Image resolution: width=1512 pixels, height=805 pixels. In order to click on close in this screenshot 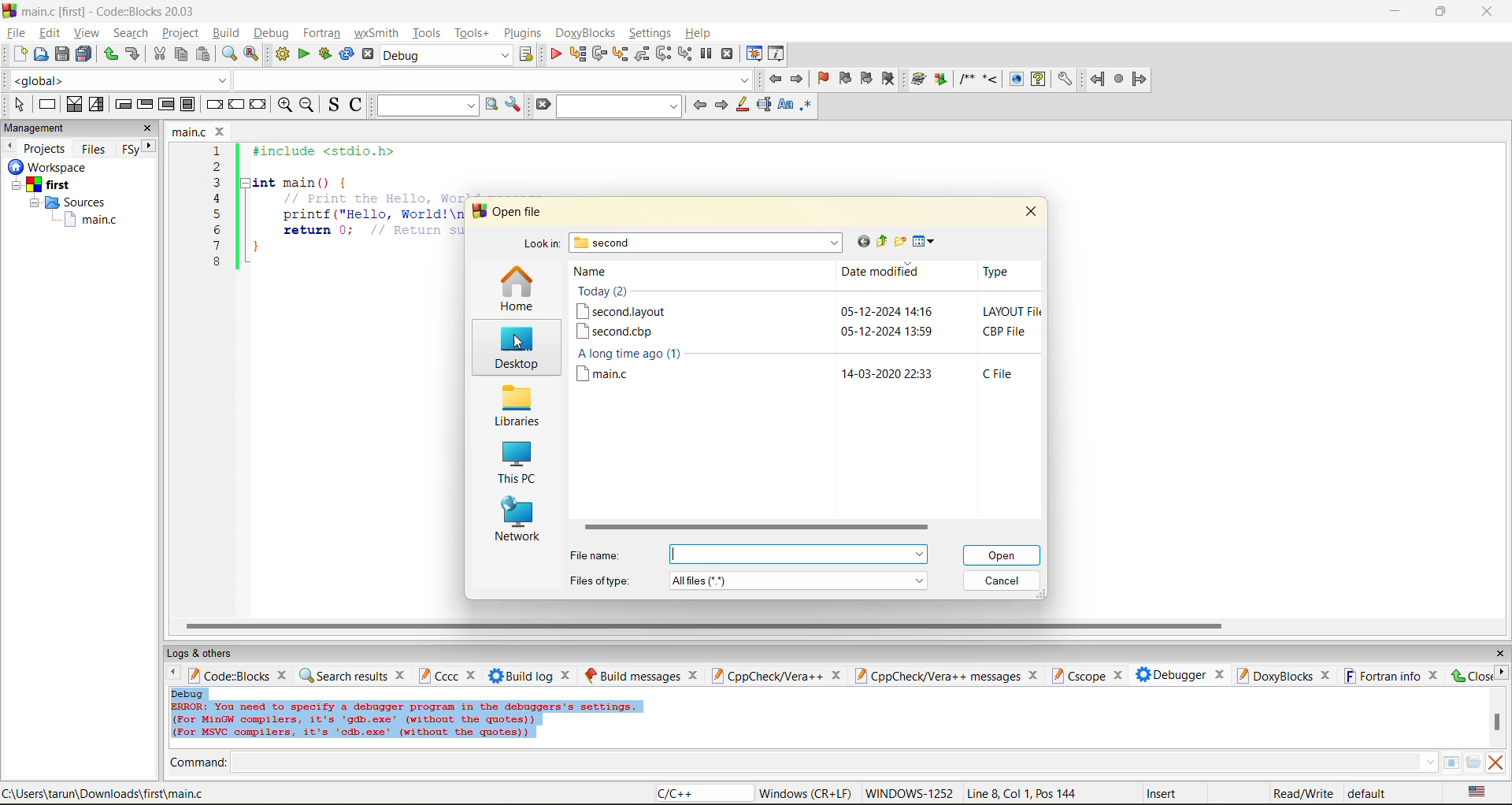, I will do `click(1326, 676)`.